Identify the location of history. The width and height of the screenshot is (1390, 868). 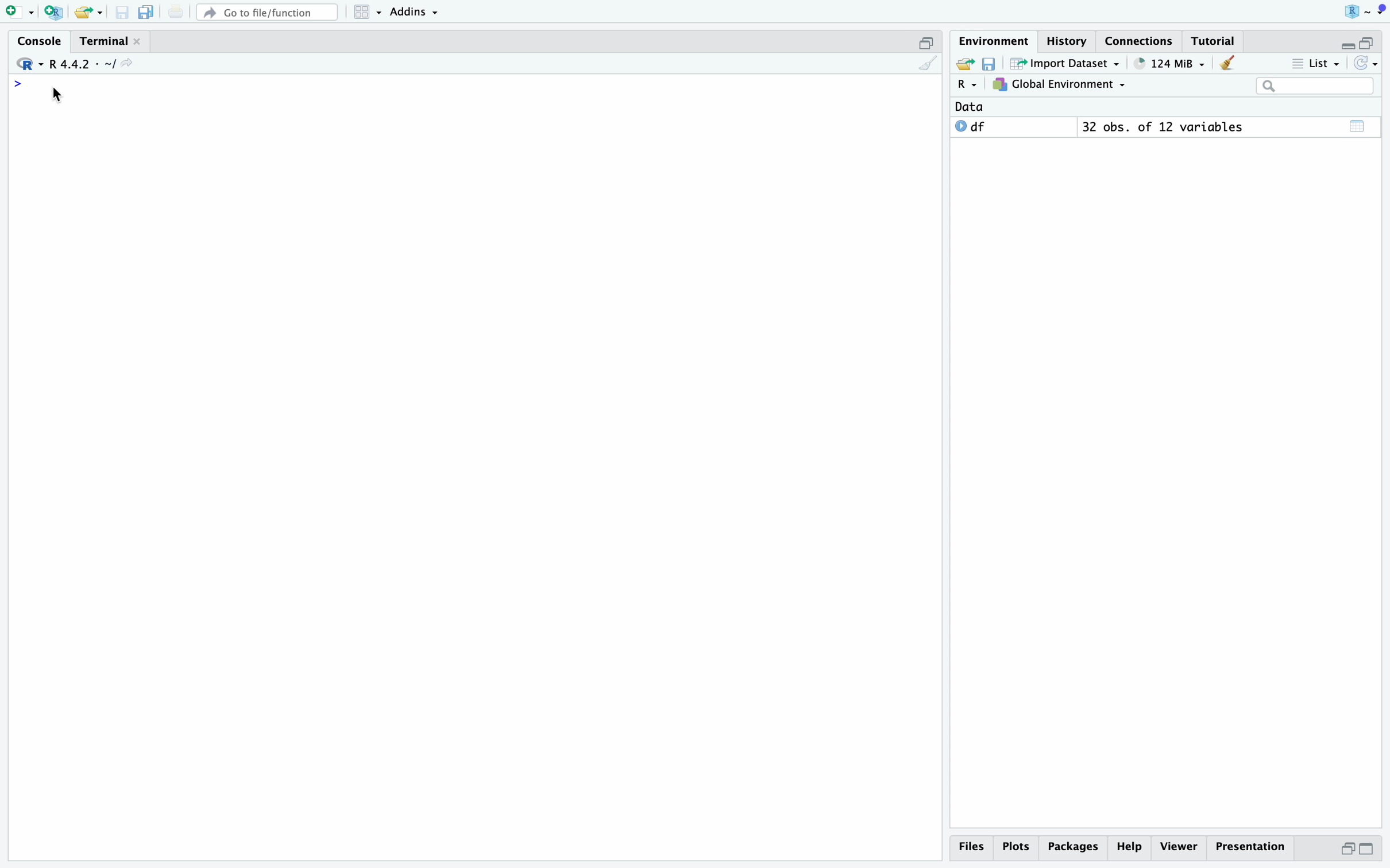
(1069, 41).